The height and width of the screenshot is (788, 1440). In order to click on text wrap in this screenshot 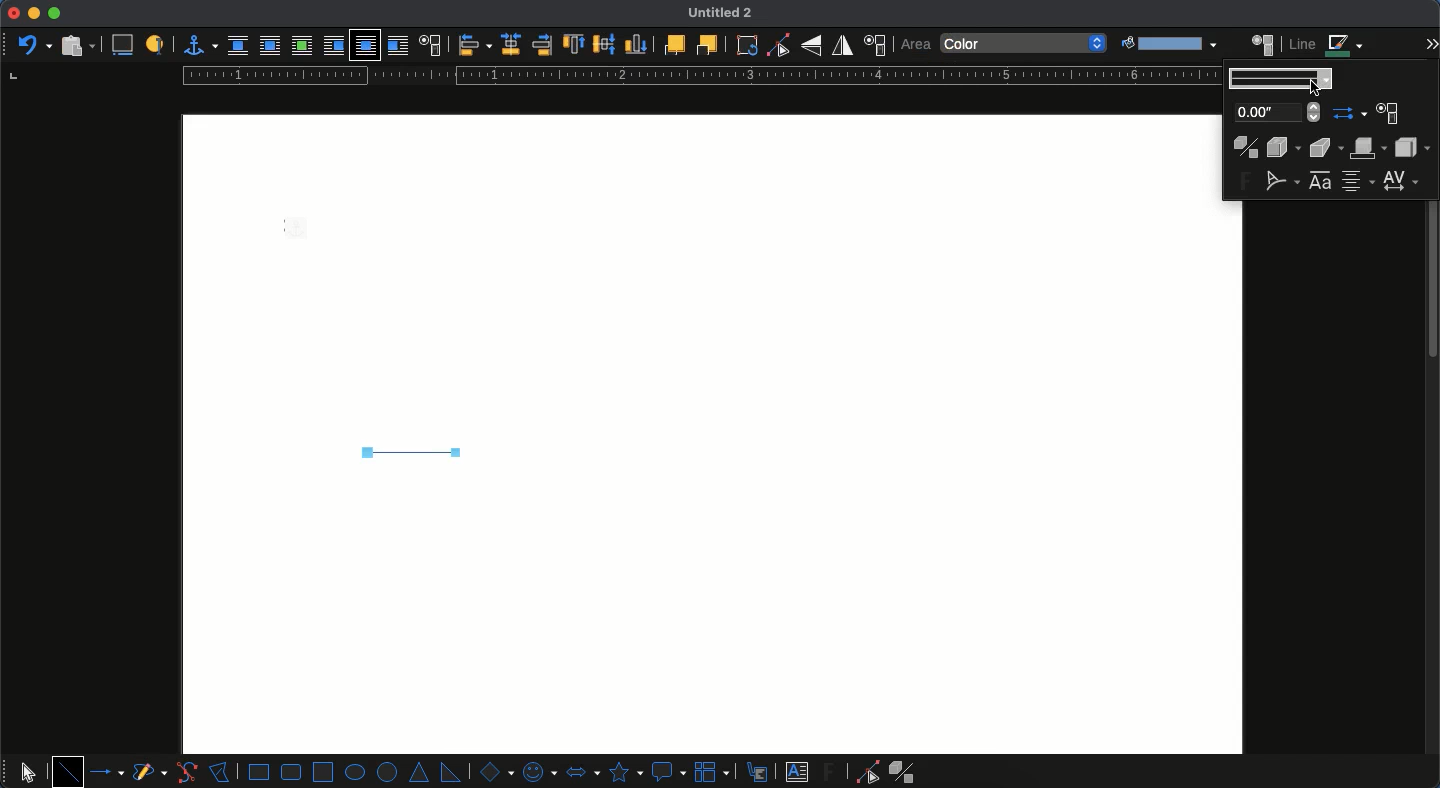, I will do `click(429, 44)`.